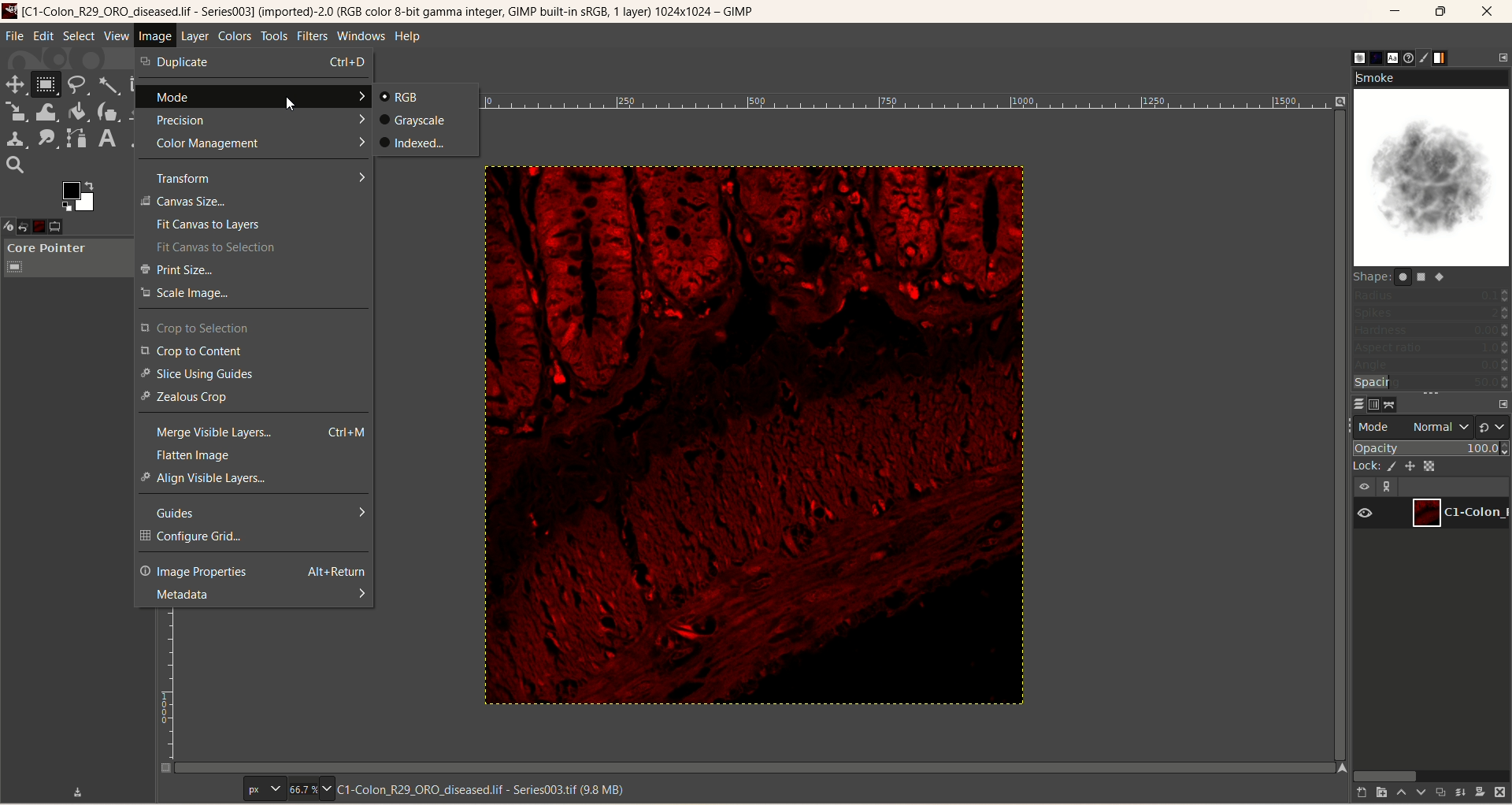  Describe the element at coordinates (1438, 427) in the screenshot. I see `normal` at that location.